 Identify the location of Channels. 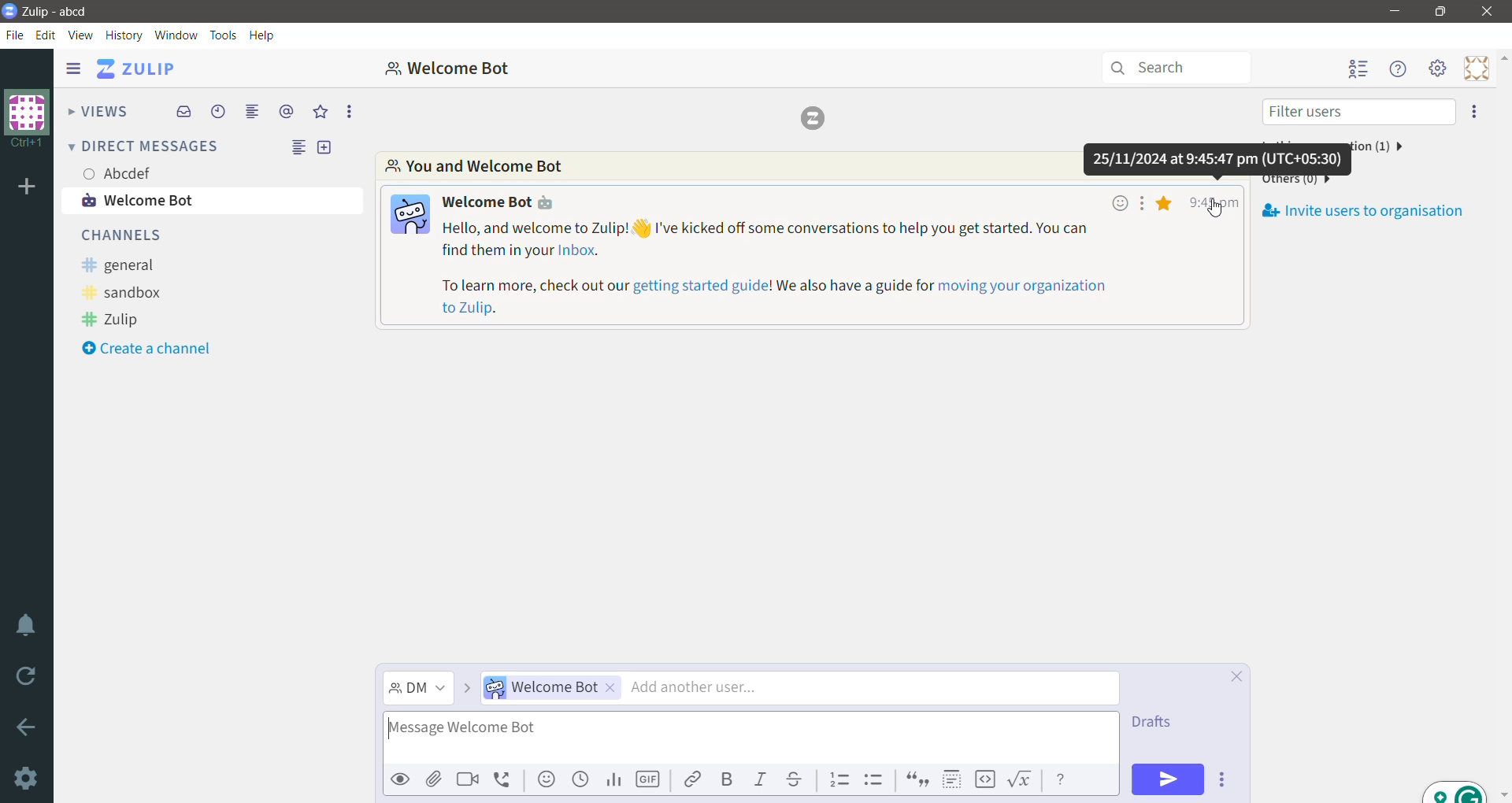
(130, 235).